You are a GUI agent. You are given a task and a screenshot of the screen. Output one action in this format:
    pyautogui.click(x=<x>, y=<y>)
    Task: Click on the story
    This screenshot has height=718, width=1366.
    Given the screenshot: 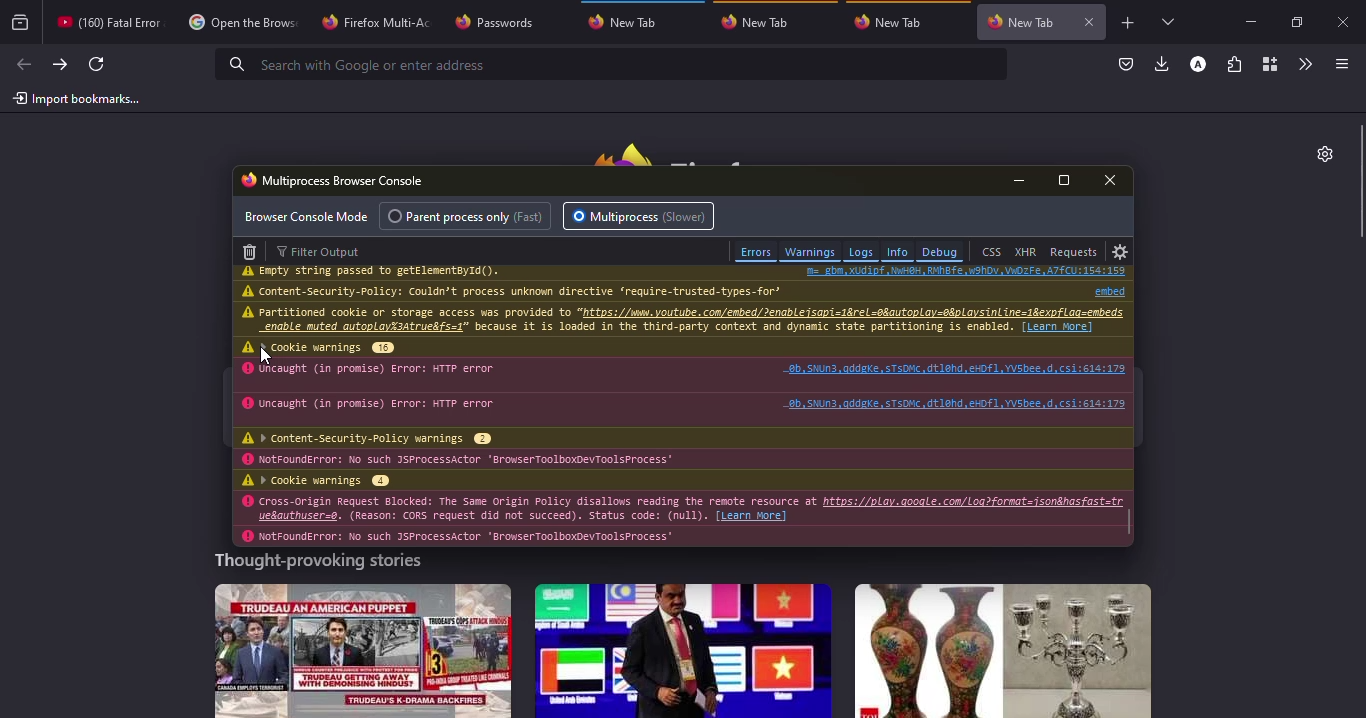 What is the action you would take?
    pyautogui.click(x=1003, y=651)
    